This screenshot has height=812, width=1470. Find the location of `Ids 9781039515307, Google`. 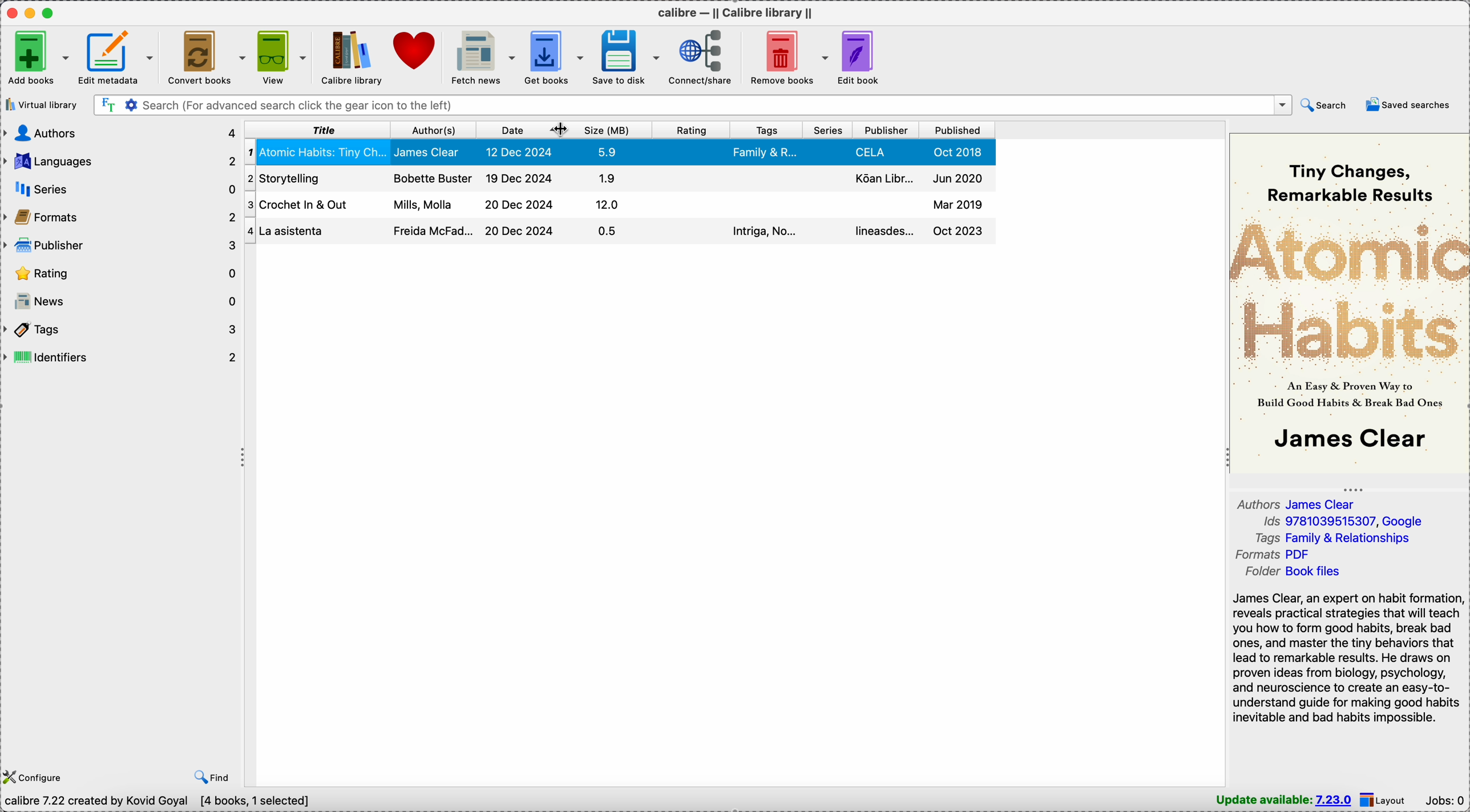

Ids 9781039515307, Google is located at coordinates (1342, 521).